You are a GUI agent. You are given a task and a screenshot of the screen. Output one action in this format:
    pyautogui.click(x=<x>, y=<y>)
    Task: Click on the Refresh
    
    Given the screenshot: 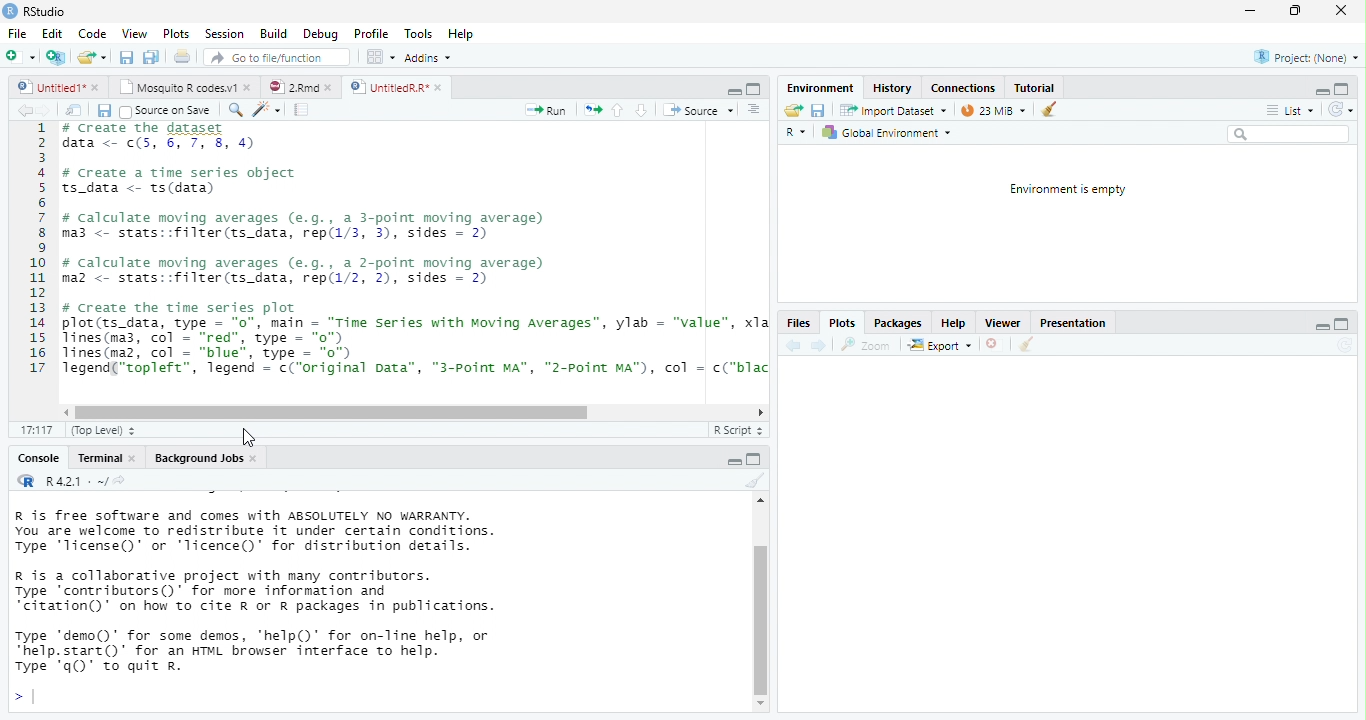 What is the action you would take?
    pyautogui.click(x=1341, y=110)
    